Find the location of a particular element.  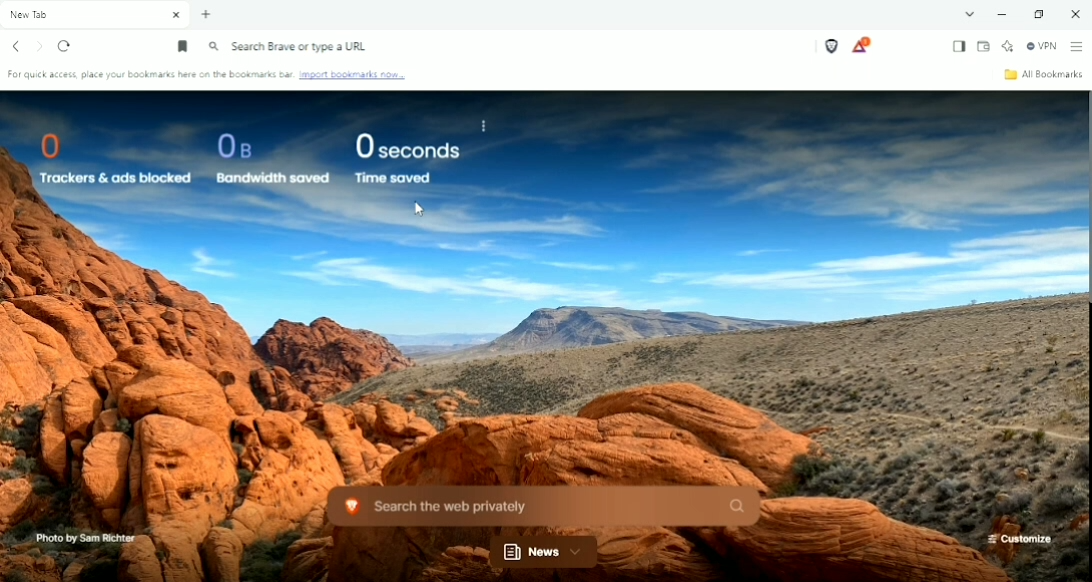

0B Bandwidth saved is located at coordinates (267, 158).